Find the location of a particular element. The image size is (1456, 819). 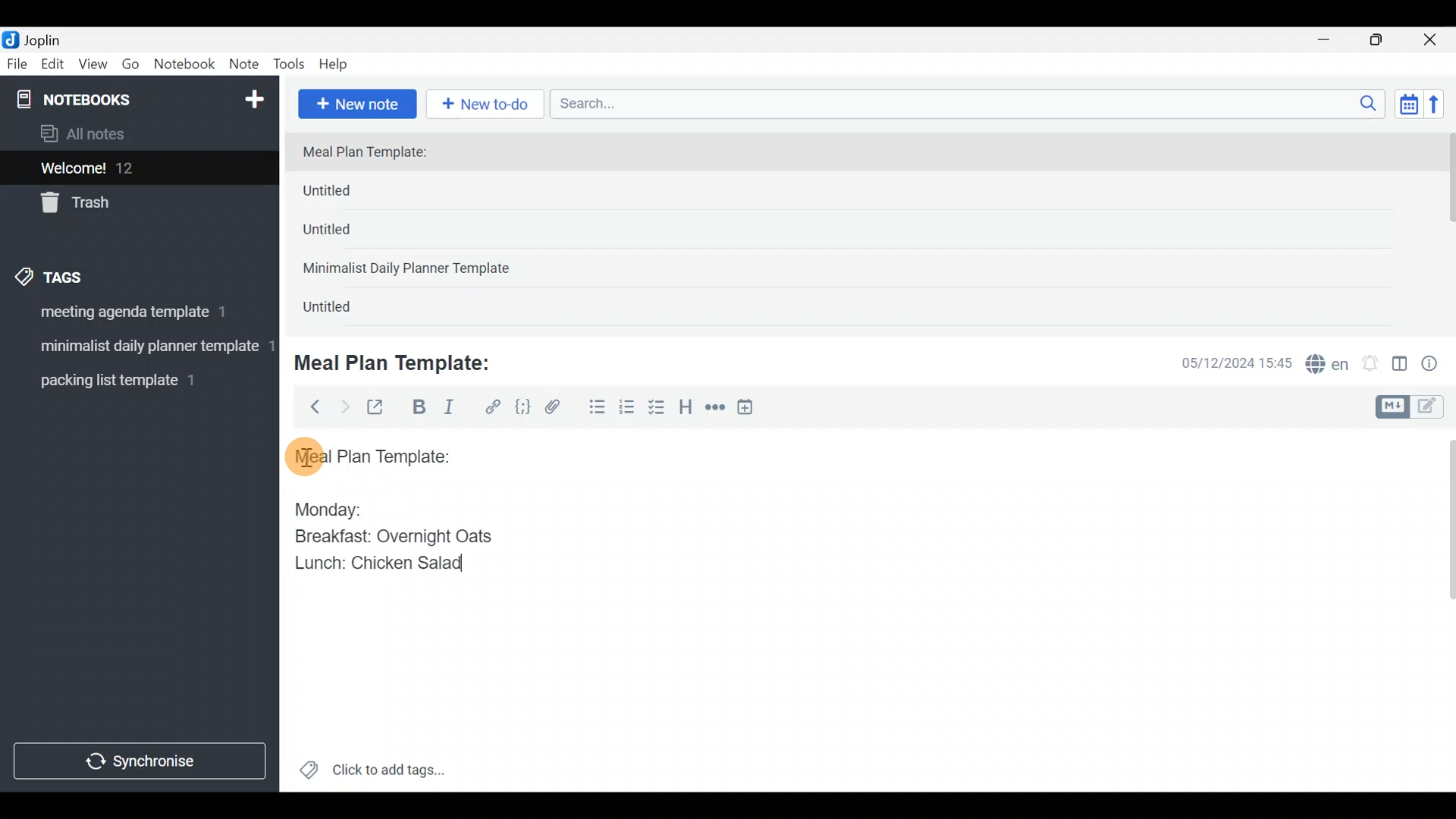

Toggle external editing is located at coordinates (381, 408).